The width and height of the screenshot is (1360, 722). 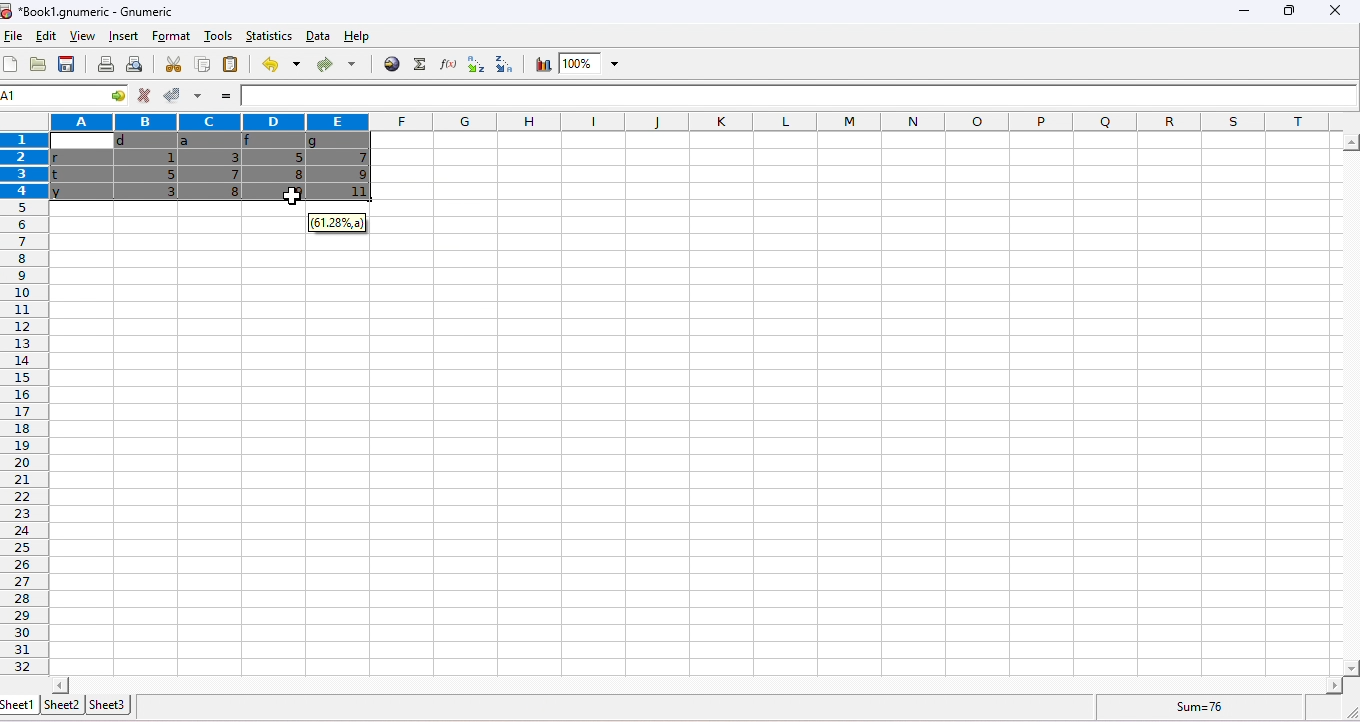 I want to click on horizontal scrollbar, so click(x=1350, y=406).